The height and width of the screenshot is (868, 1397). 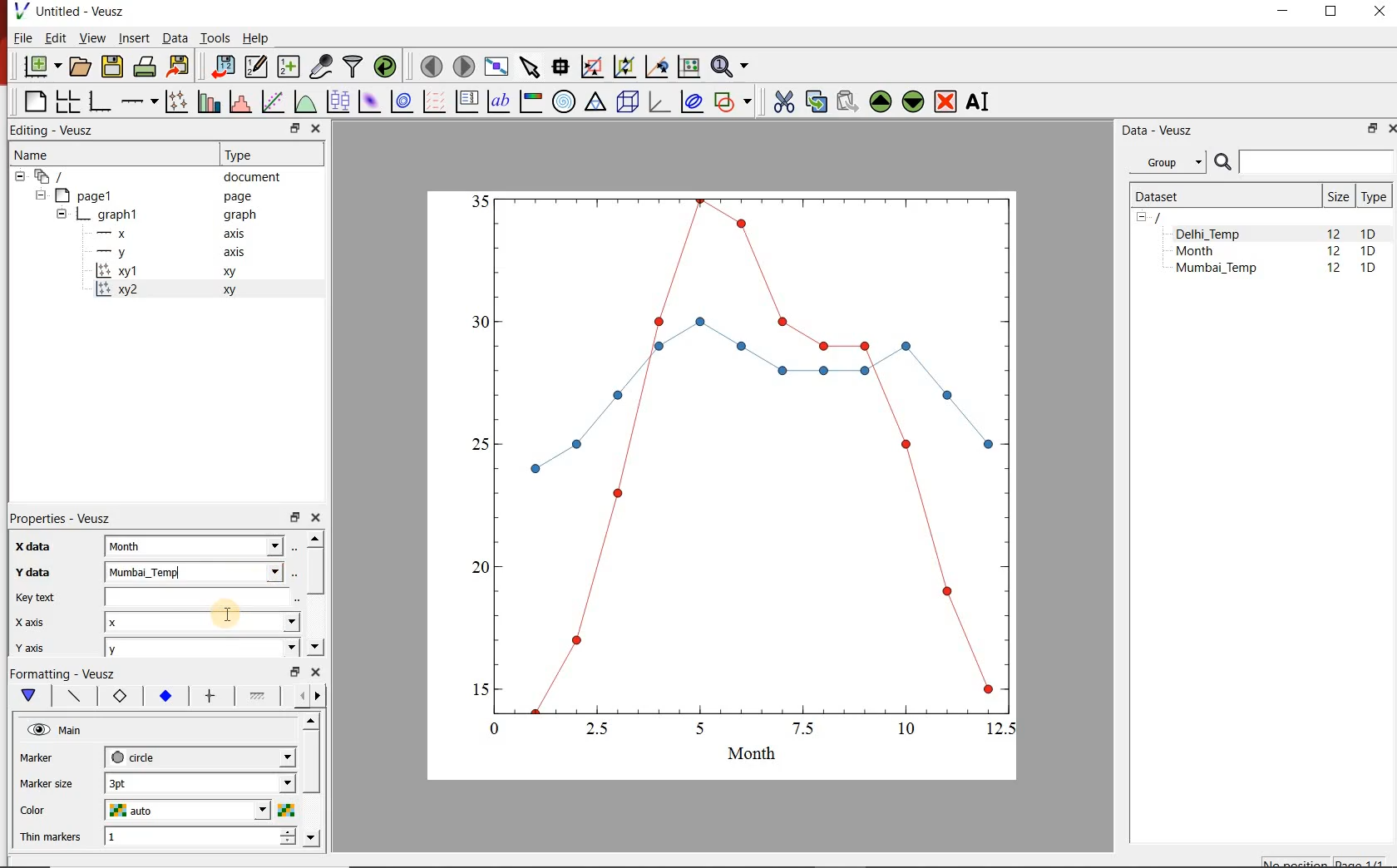 What do you see at coordinates (656, 67) in the screenshot?
I see `click to recenter graph axes` at bounding box center [656, 67].